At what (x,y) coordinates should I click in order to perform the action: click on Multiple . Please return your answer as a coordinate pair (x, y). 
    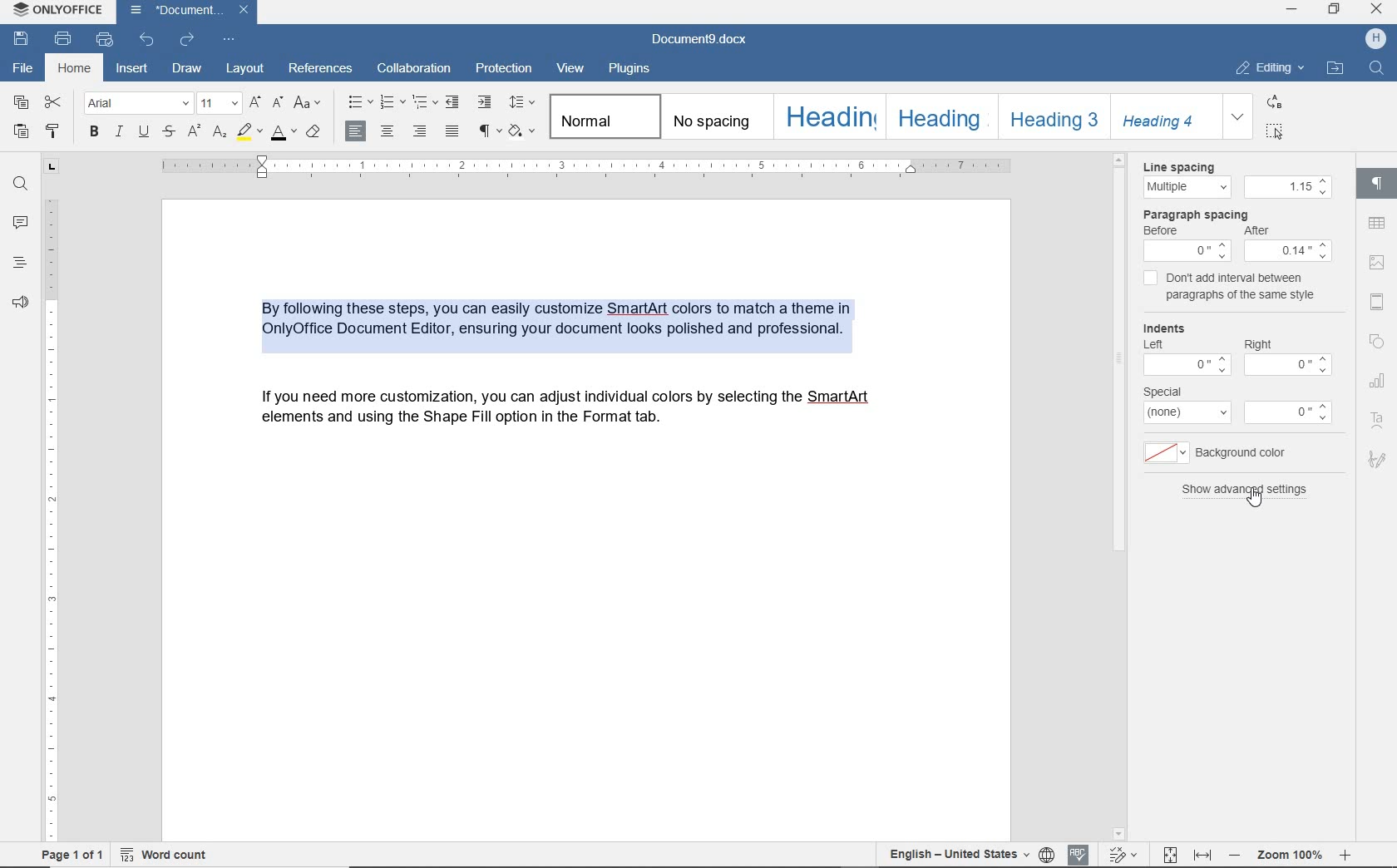
    Looking at the image, I should click on (1182, 187).